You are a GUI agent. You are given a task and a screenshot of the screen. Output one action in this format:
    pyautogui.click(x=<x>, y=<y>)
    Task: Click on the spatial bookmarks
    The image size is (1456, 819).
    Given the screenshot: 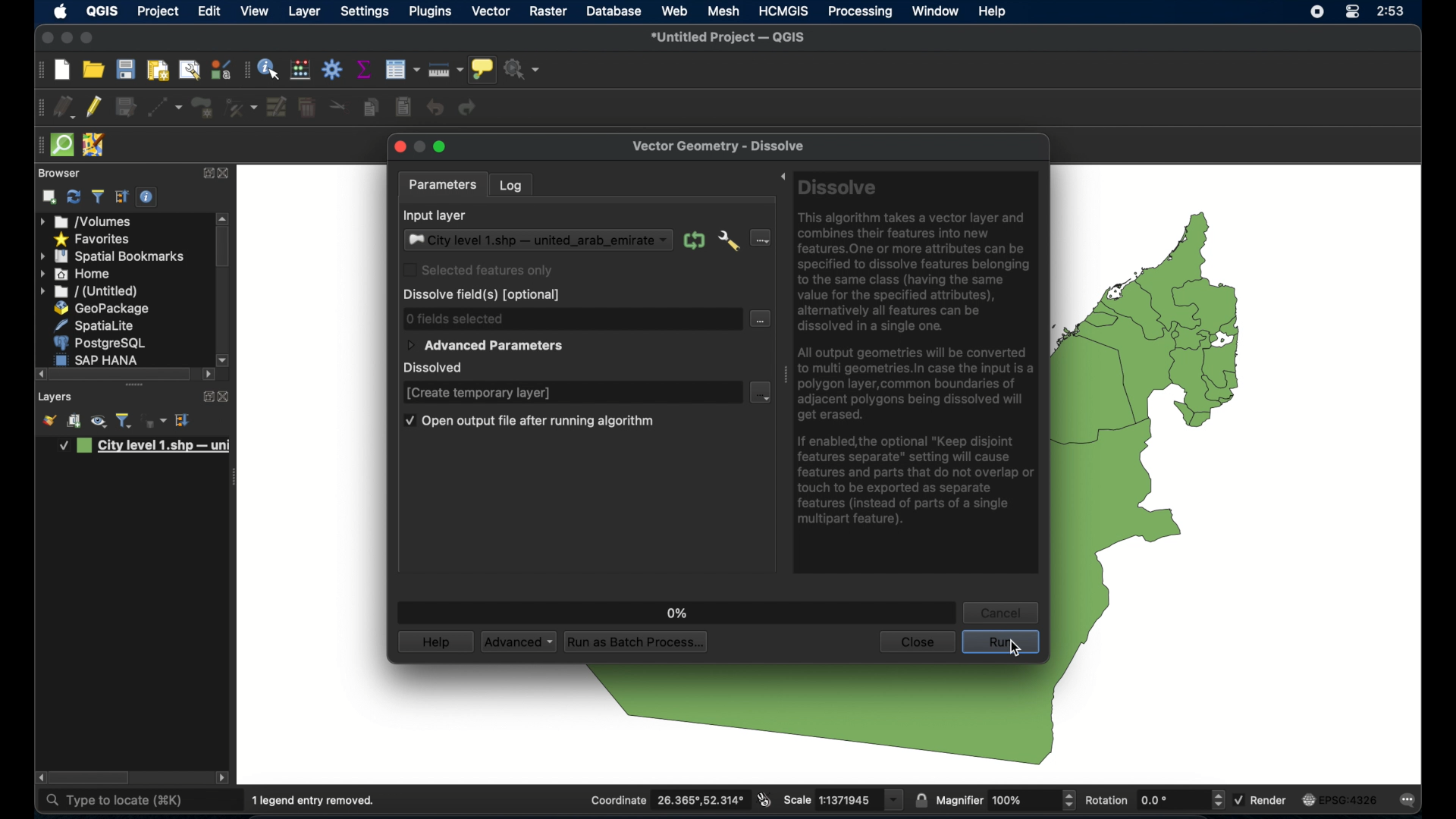 What is the action you would take?
    pyautogui.click(x=111, y=257)
    